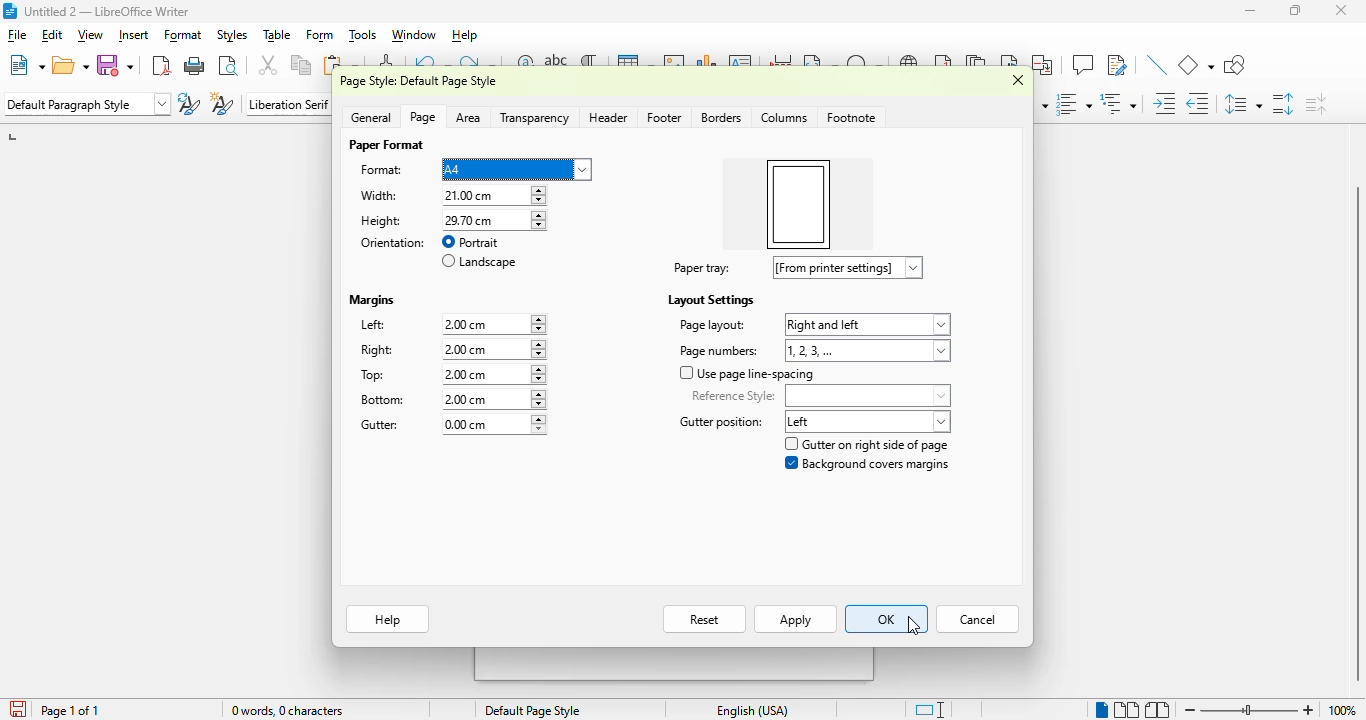 This screenshot has width=1366, height=720. What do you see at coordinates (1117, 65) in the screenshot?
I see `show track changes functions` at bounding box center [1117, 65].